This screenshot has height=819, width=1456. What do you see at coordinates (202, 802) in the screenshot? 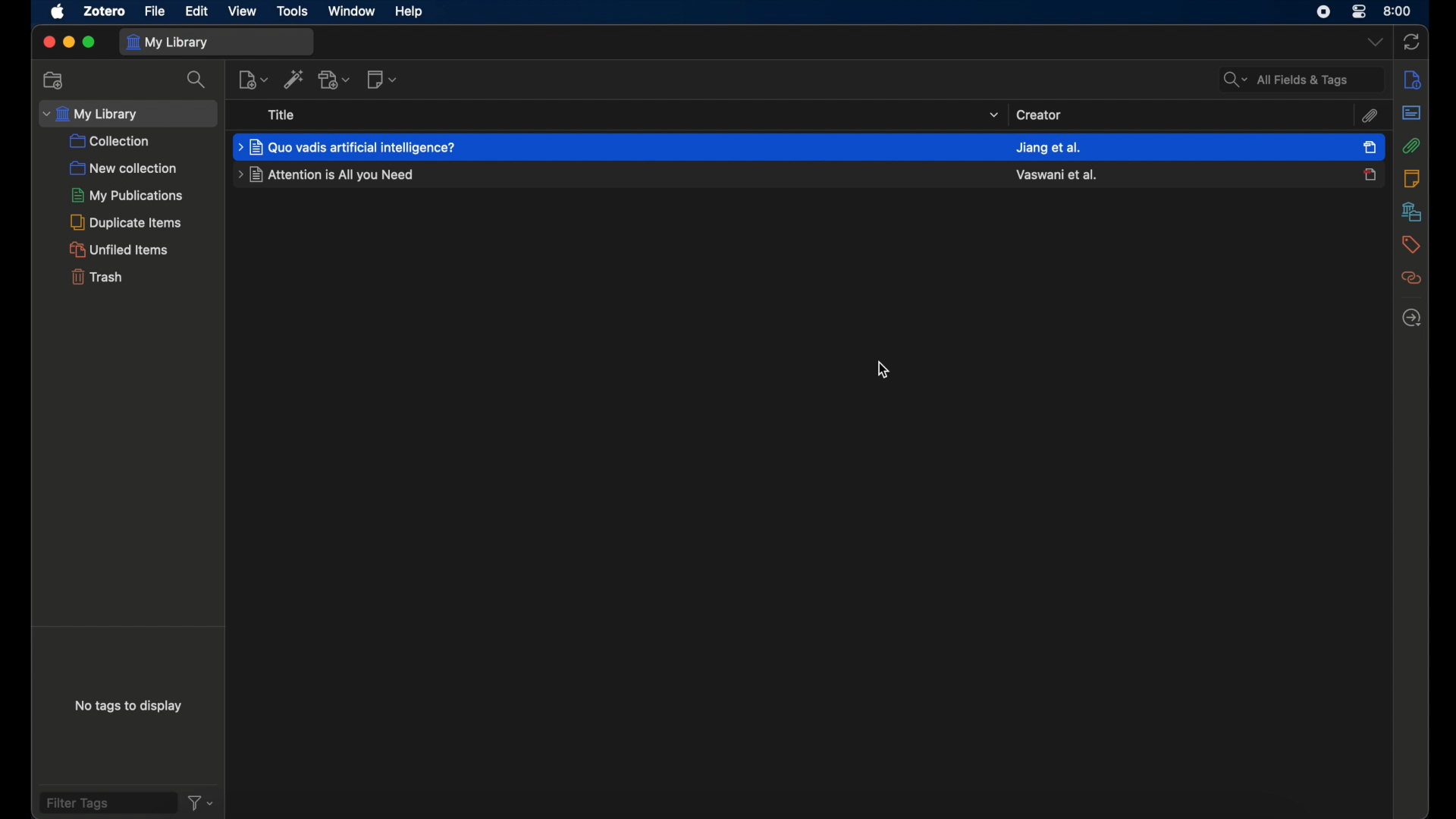
I see `filter dropdown ` at bounding box center [202, 802].